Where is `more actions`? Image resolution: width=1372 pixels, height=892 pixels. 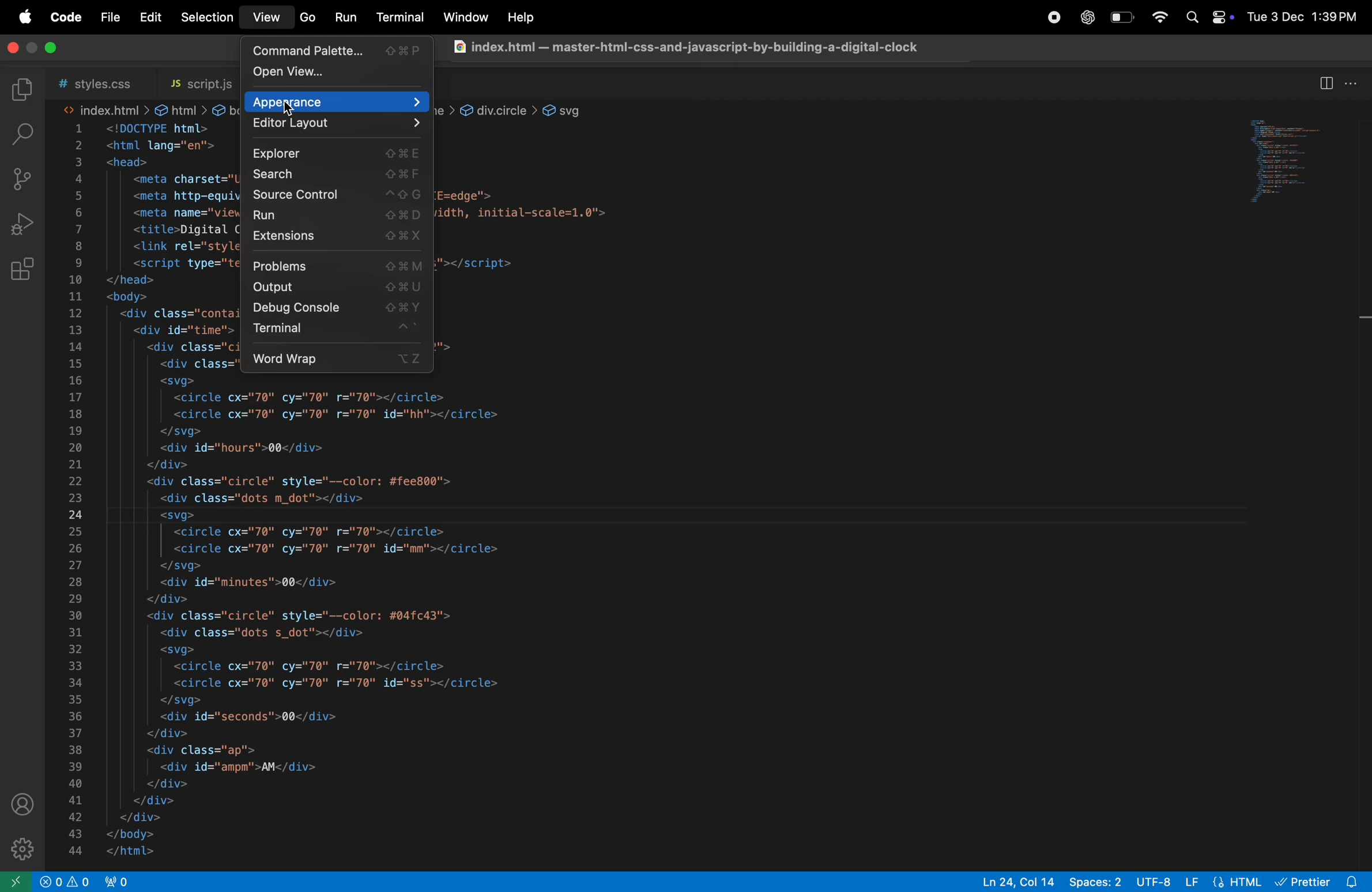
more actions is located at coordinates (1353, 84).